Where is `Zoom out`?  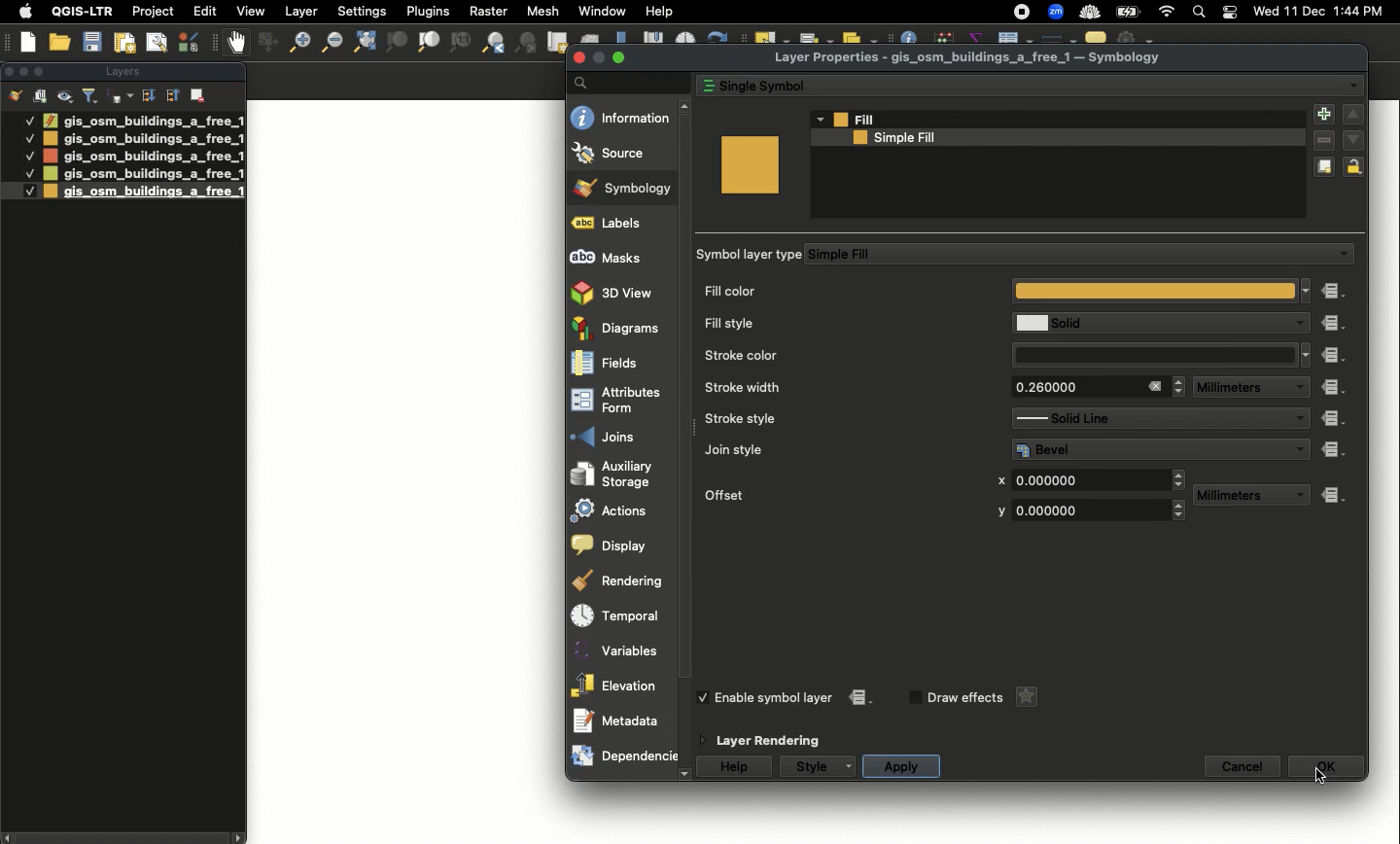 Zoom out is located at coordinates (295, 45).